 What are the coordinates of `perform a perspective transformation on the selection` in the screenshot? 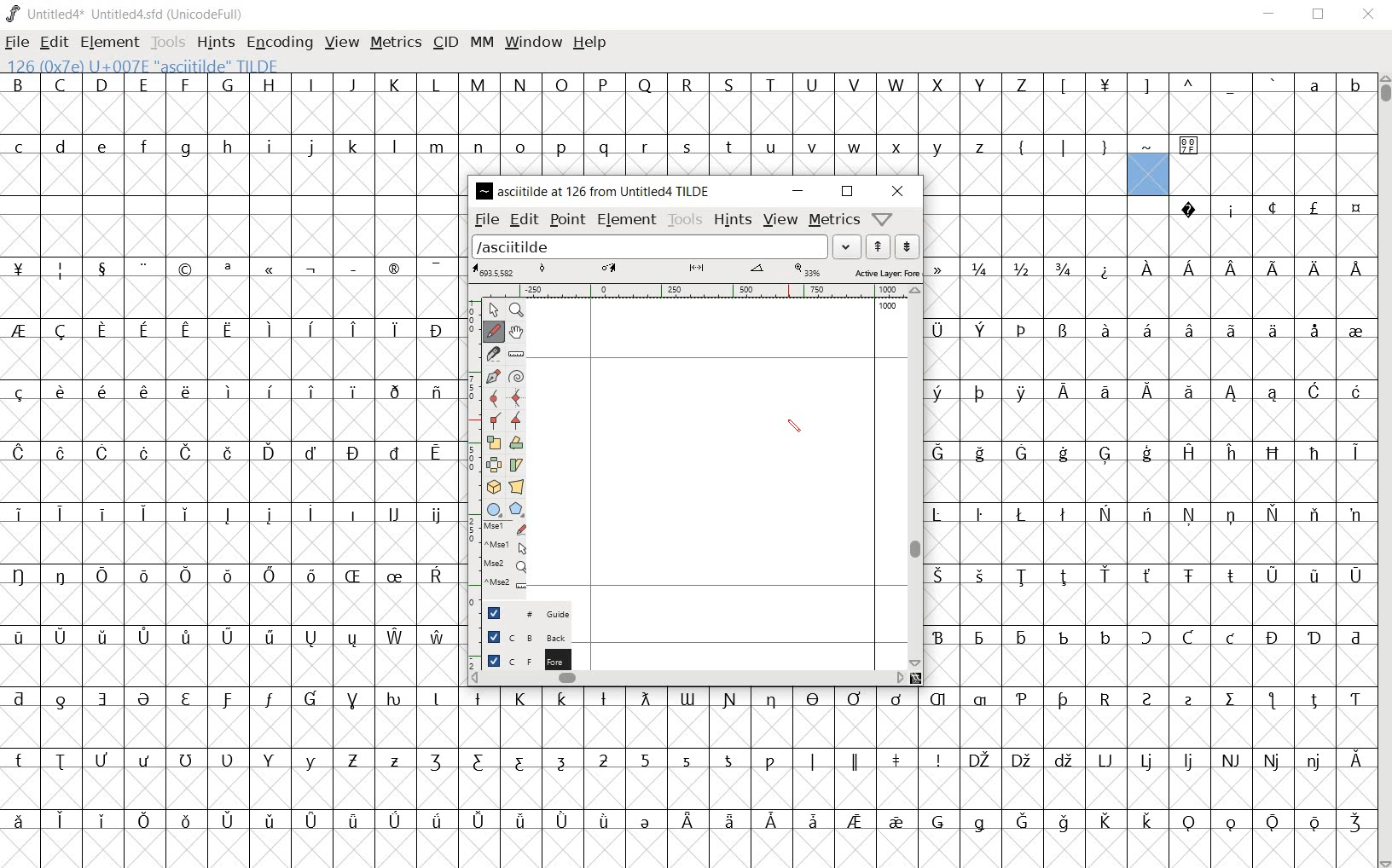 It's located at (518, 487).